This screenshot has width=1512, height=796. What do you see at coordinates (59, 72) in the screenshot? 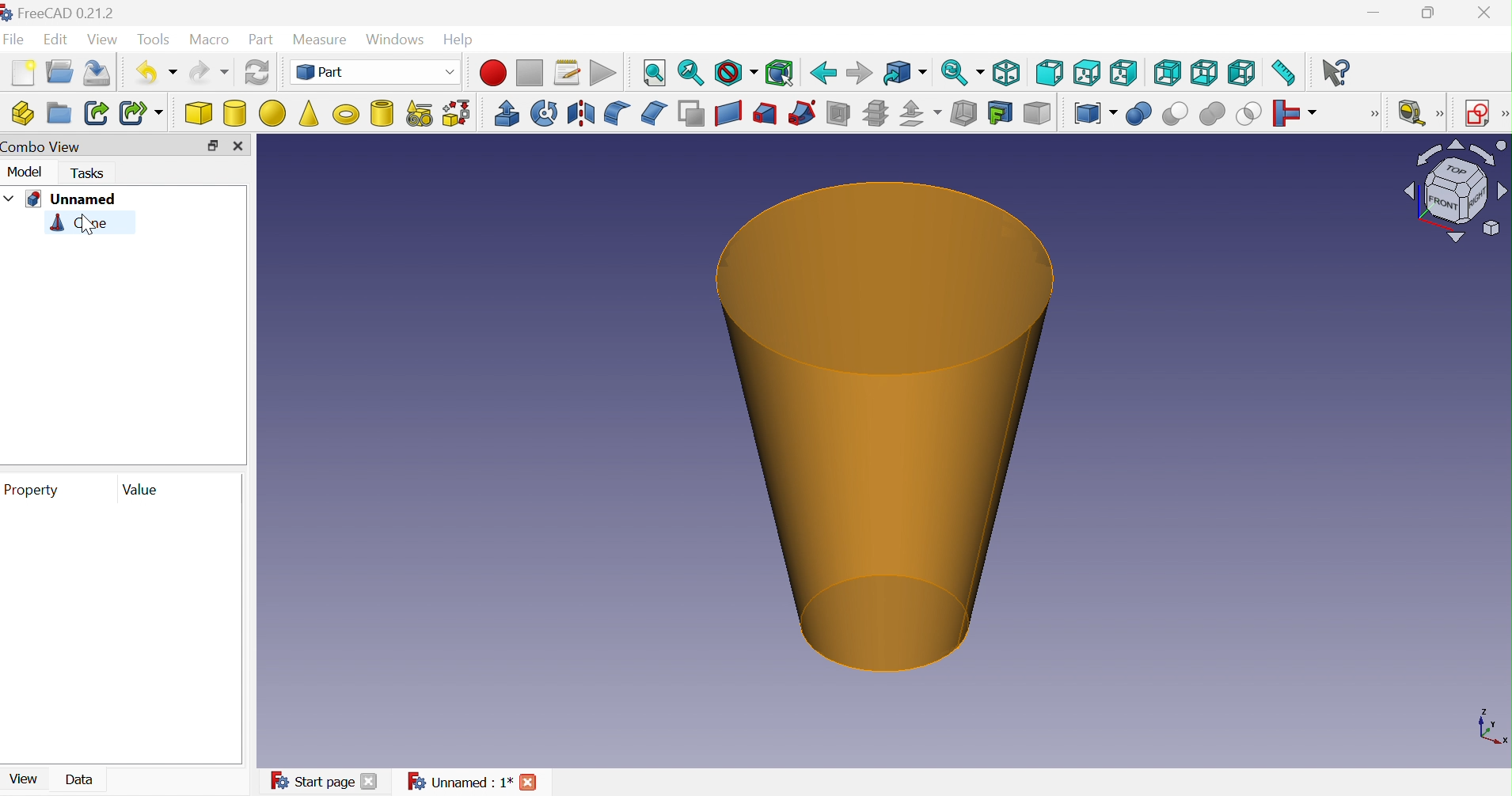
I see `Open` at bounding box center [59, 72].